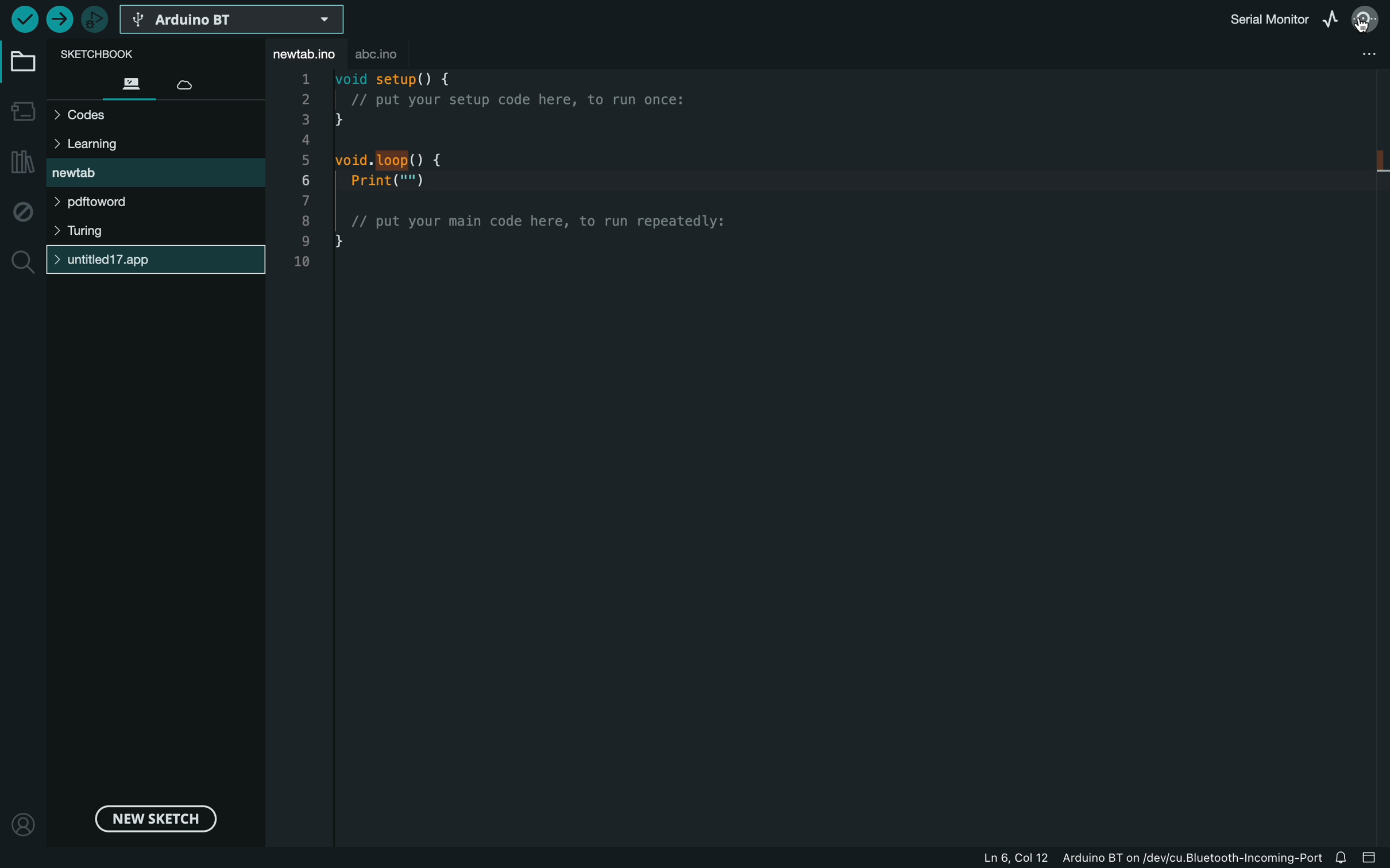  Describe the element at coordinates (1256, 17) in the screenshot. I see `serial monitor` at that location.